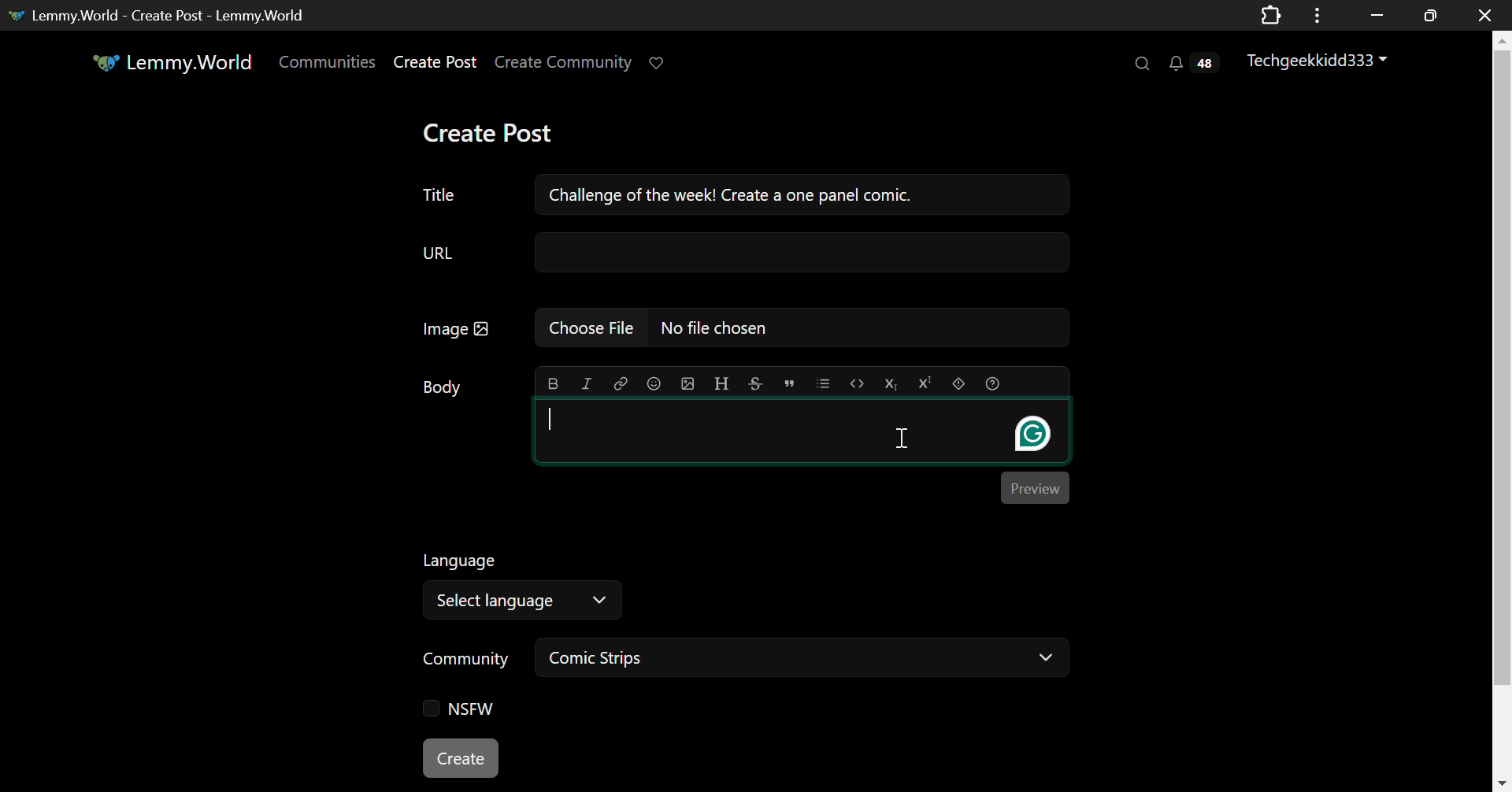 Image resolution: width=1512 pixels, height=792 pixels. I want to click on Lemmy.World, so click(172, 65).